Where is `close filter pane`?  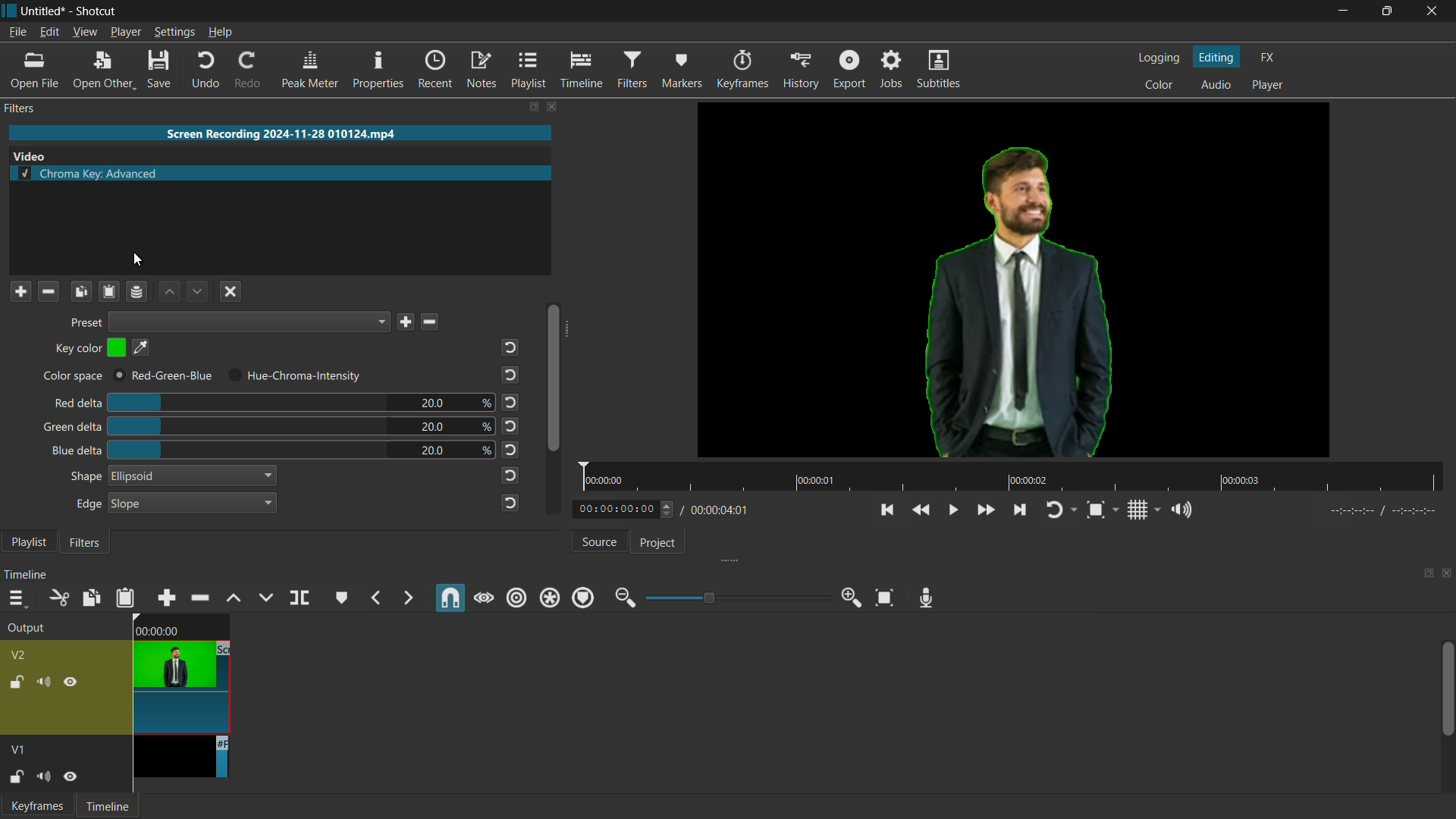 close filter pane is located at coordinates (556, 108).